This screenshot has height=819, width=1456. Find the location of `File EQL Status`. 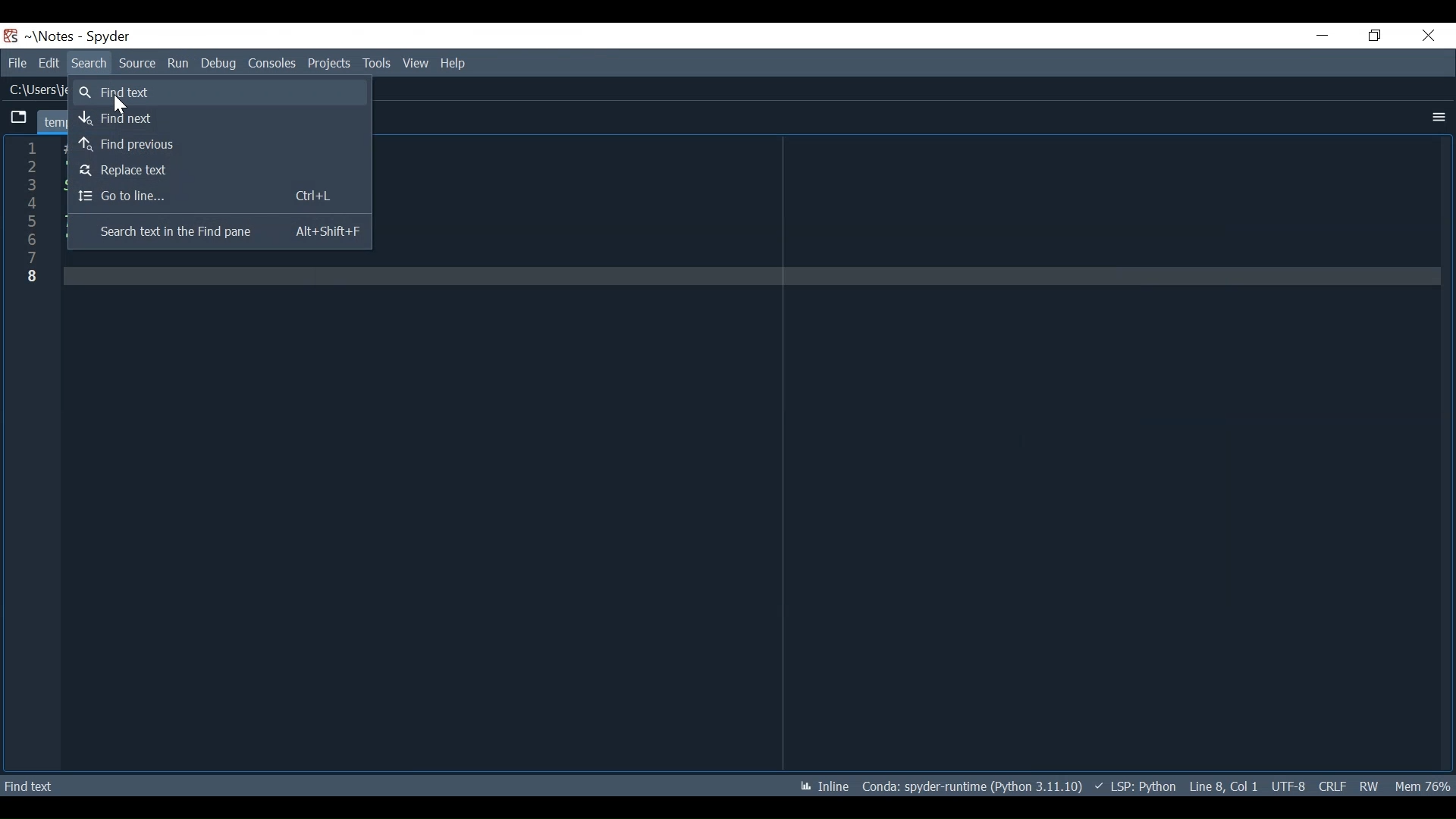

File EQL Status is located at coordinates (1334, 784).